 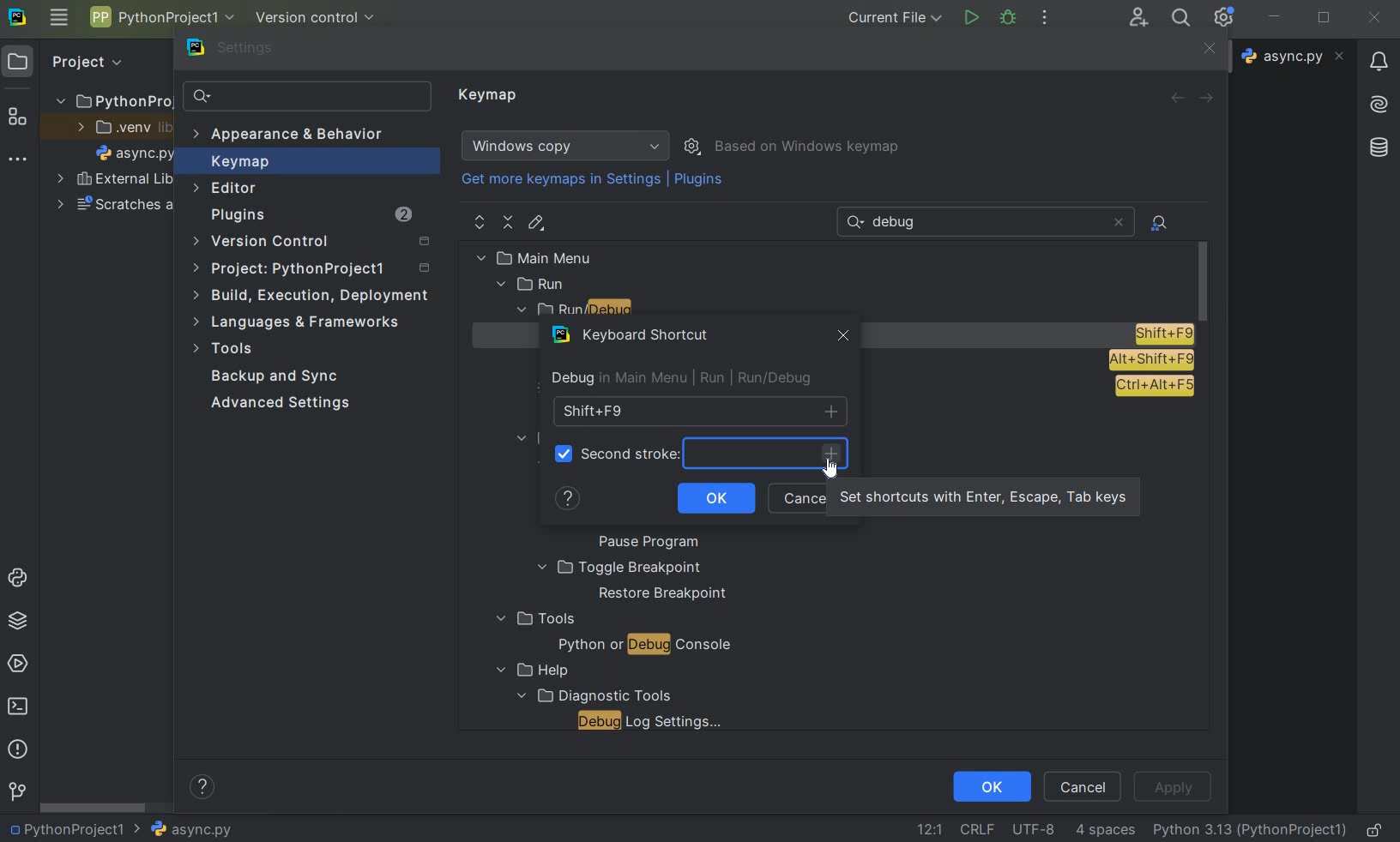 I want to click on cancel, so click(x=1083, y=785).